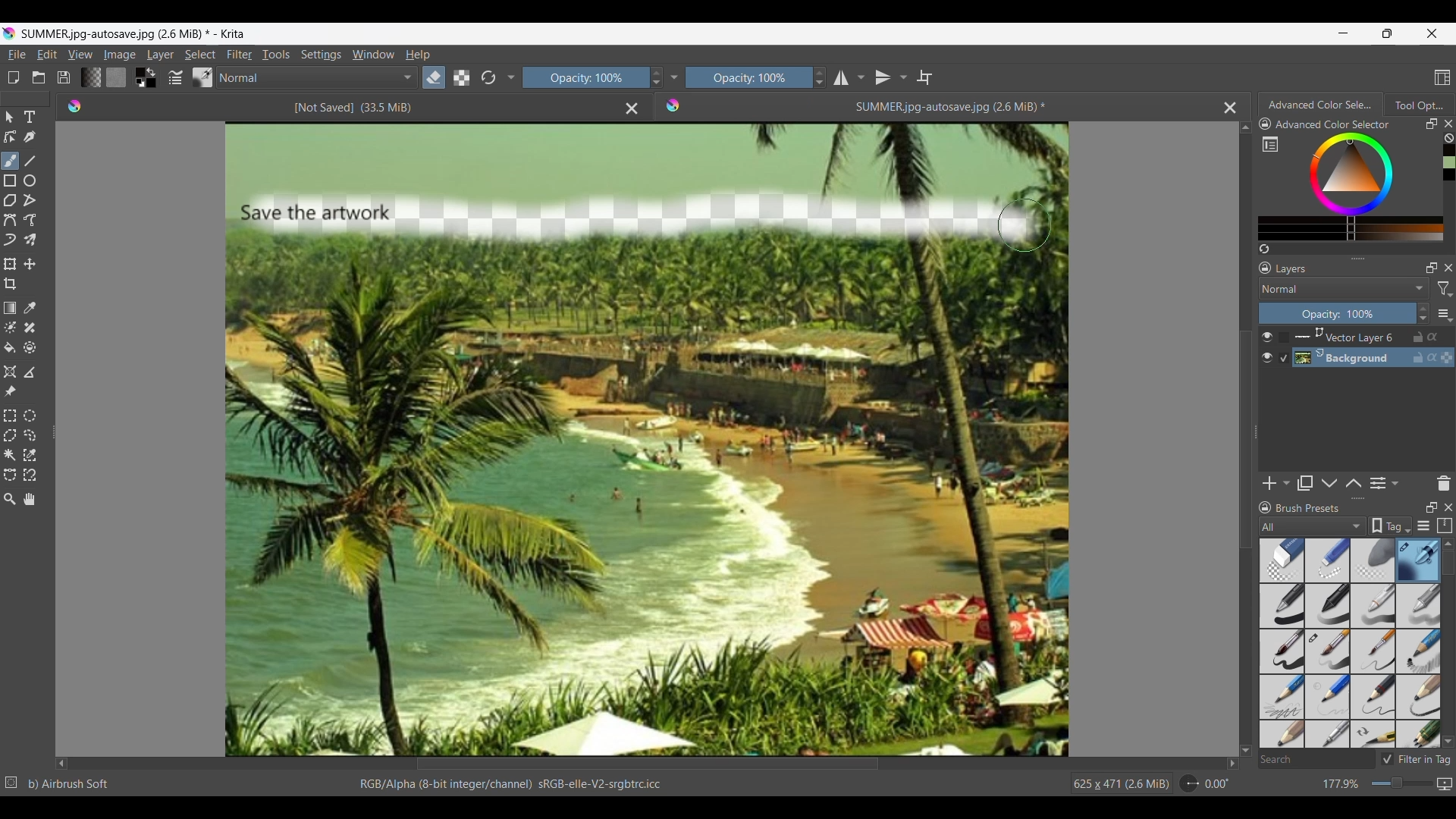 The width and height of the screenshot is (1456, 819). I want to click on b) Airbrush Soft, so click(69, 784).